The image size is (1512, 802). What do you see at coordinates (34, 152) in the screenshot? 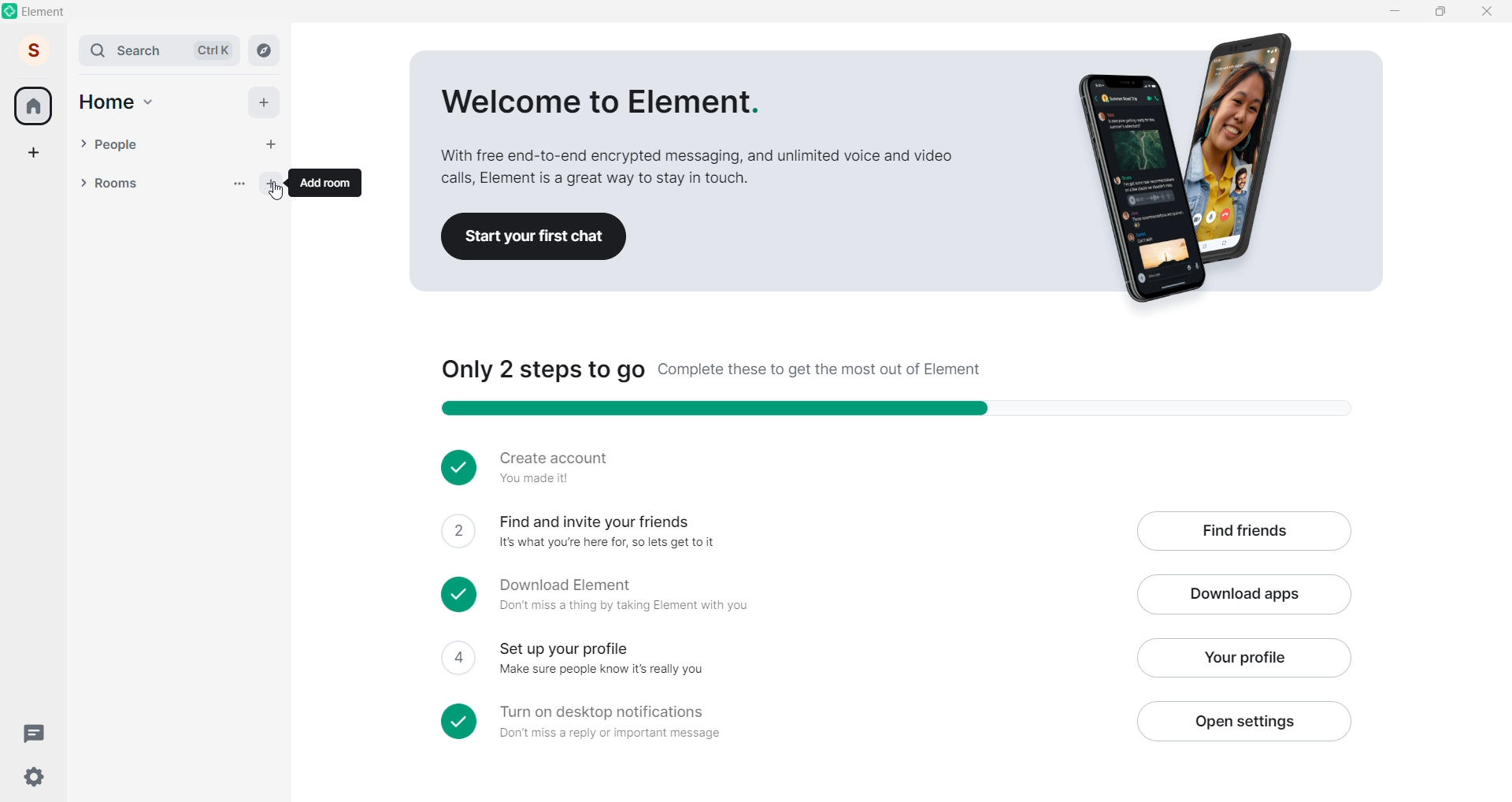
I see `Create a Space` at bounding box center [34, 152].